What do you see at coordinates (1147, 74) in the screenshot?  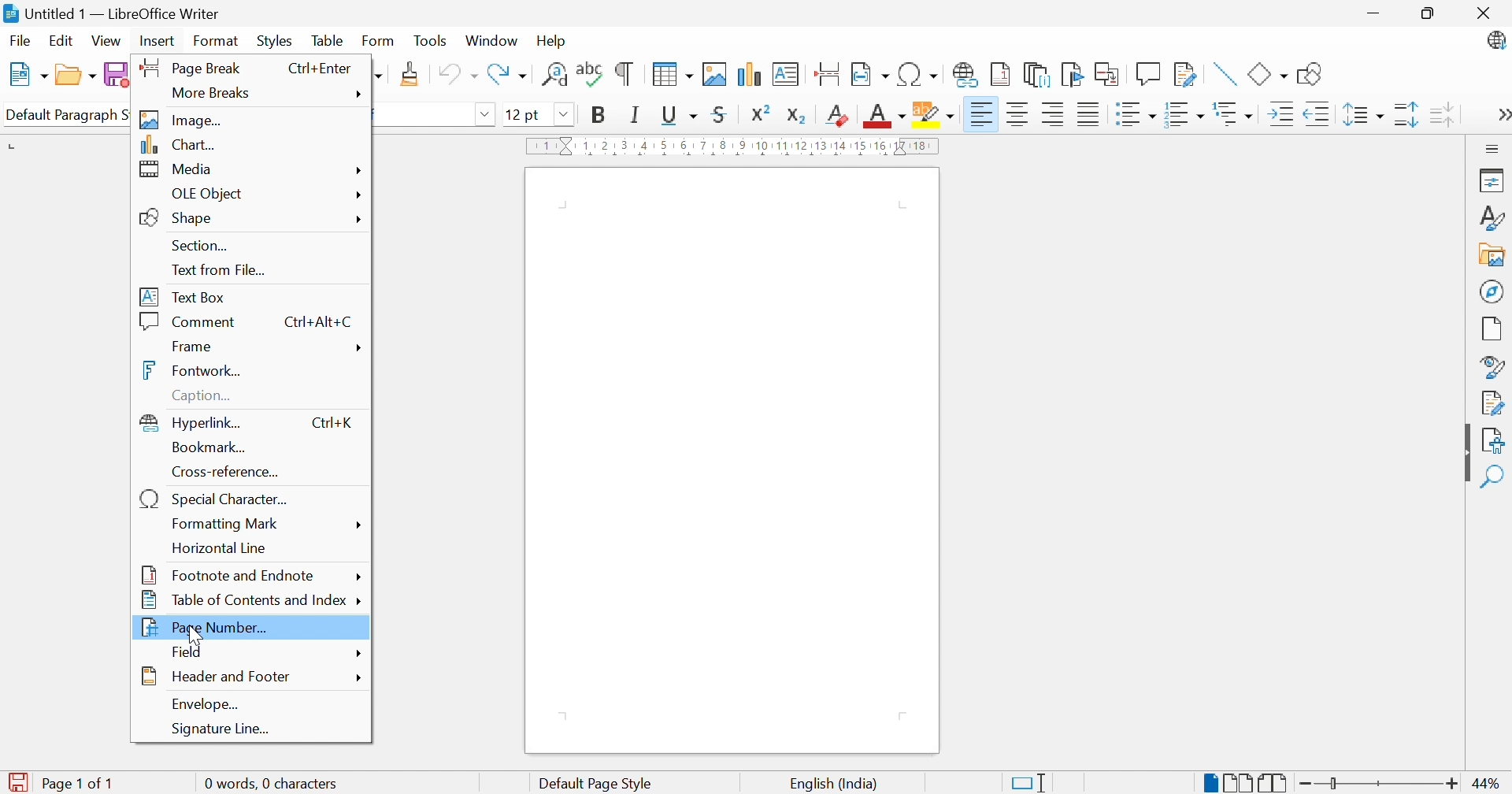 I see `Insert comment` at bounding box center [1147, 74].